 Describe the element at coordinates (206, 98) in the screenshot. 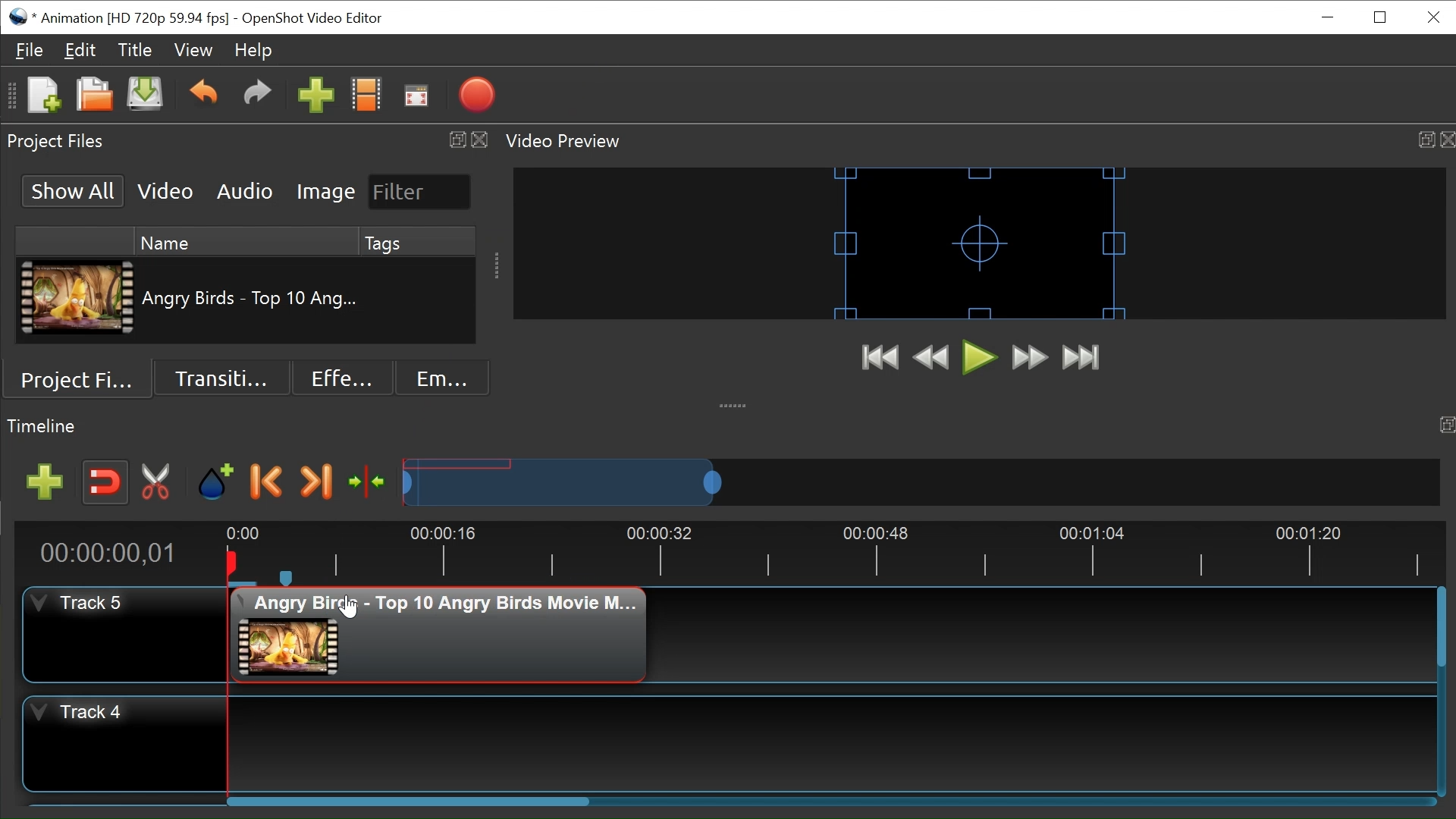

I see `Undo` at that location.